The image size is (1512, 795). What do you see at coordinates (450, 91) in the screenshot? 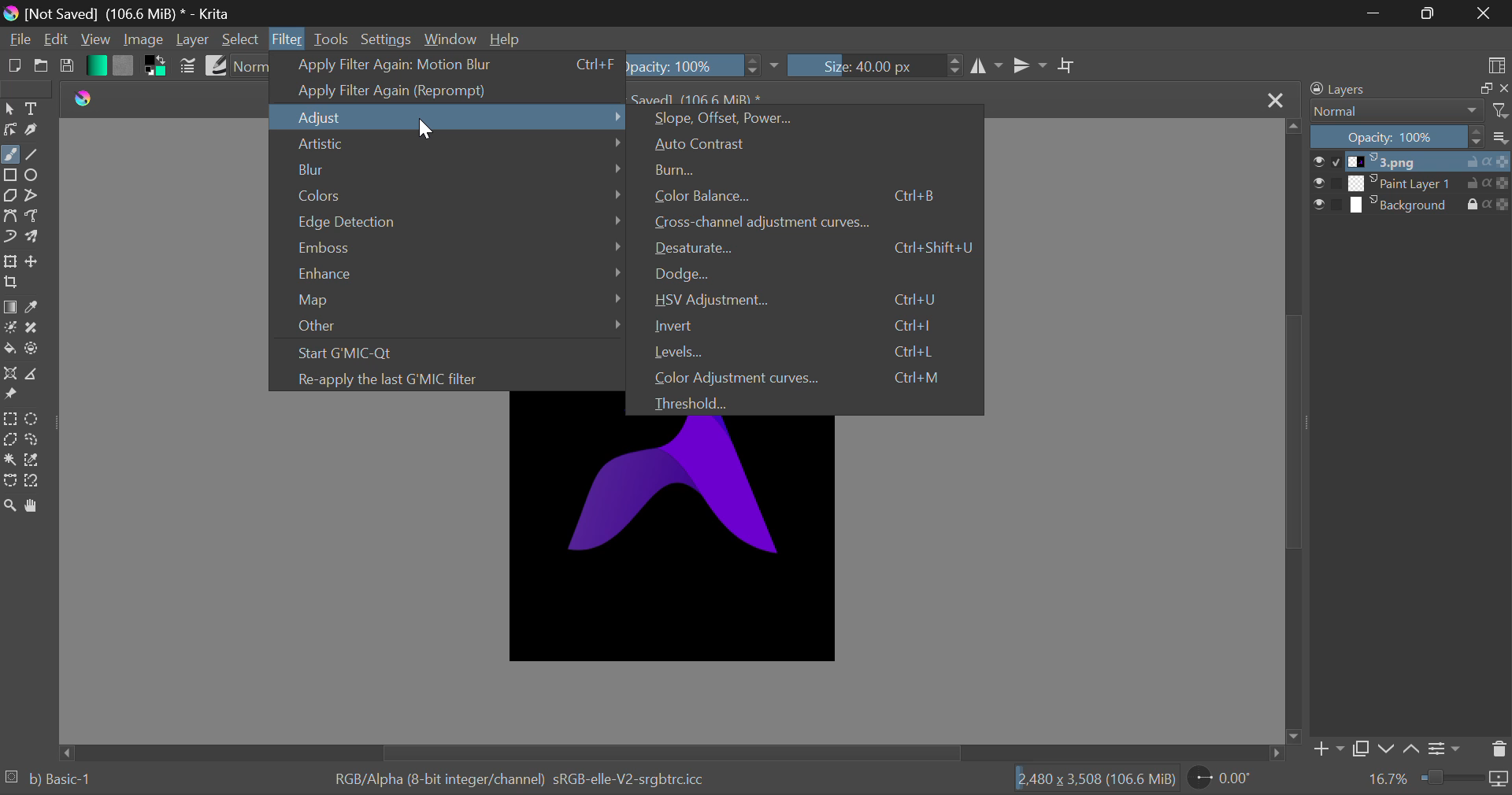
I see `Apply Filter Again` at bounding box center [450, 91].